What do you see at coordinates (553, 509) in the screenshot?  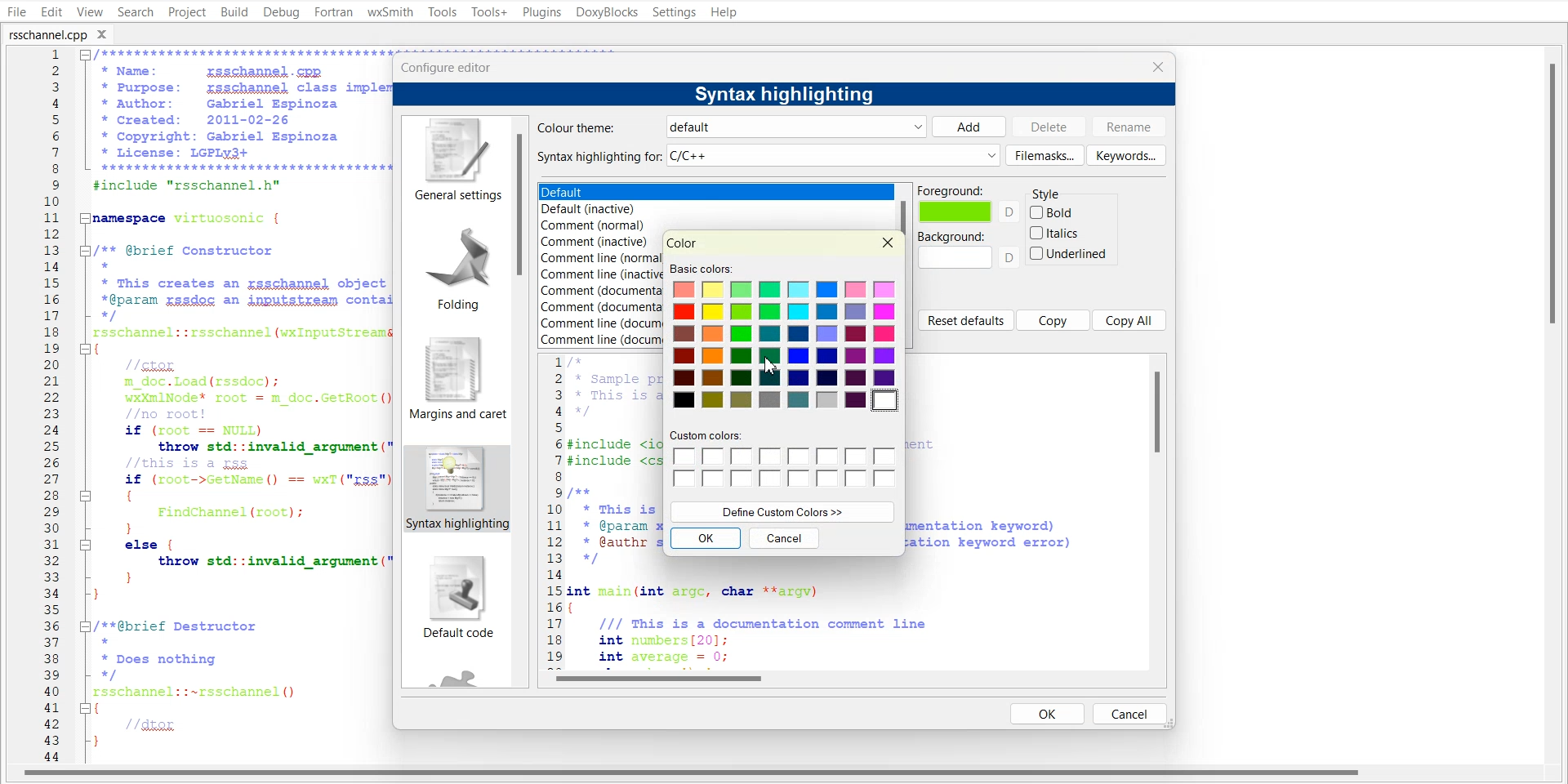 I see `Line numbers` at bounding box center [553, 509].